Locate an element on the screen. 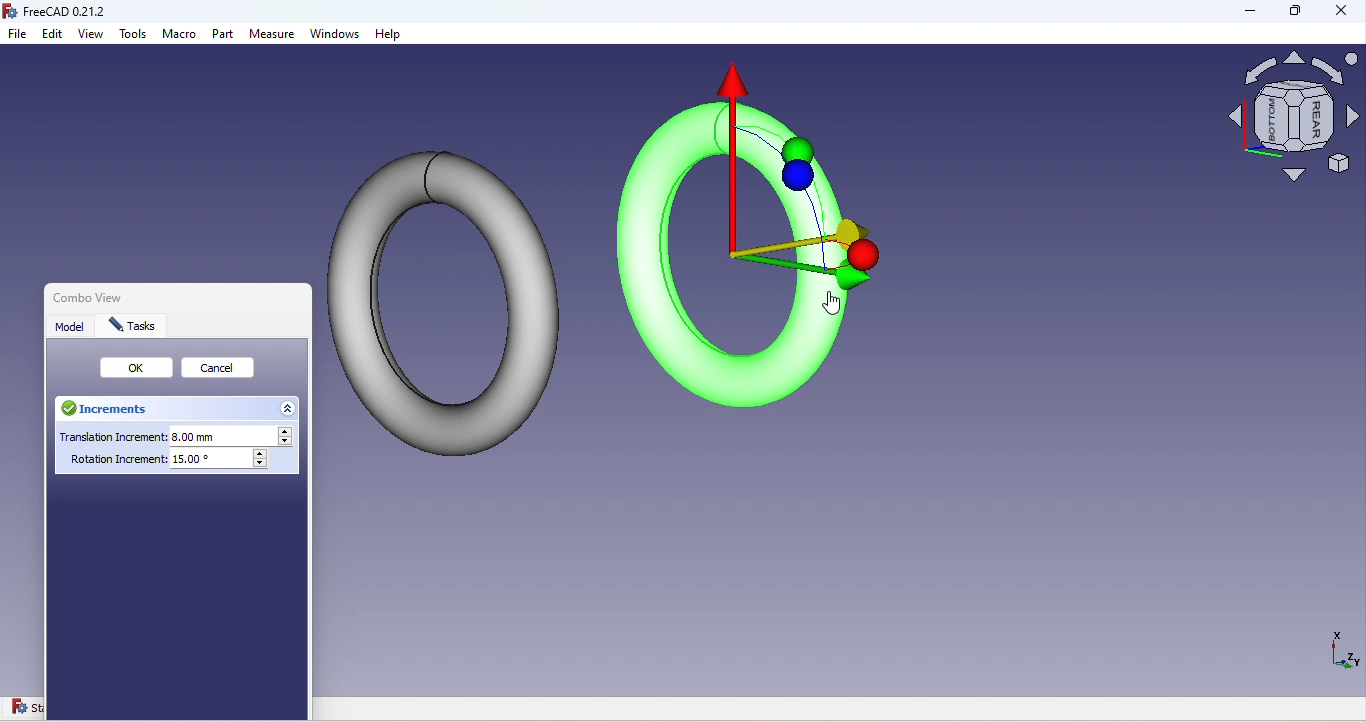  Increments is located at coordinates (112, 410).